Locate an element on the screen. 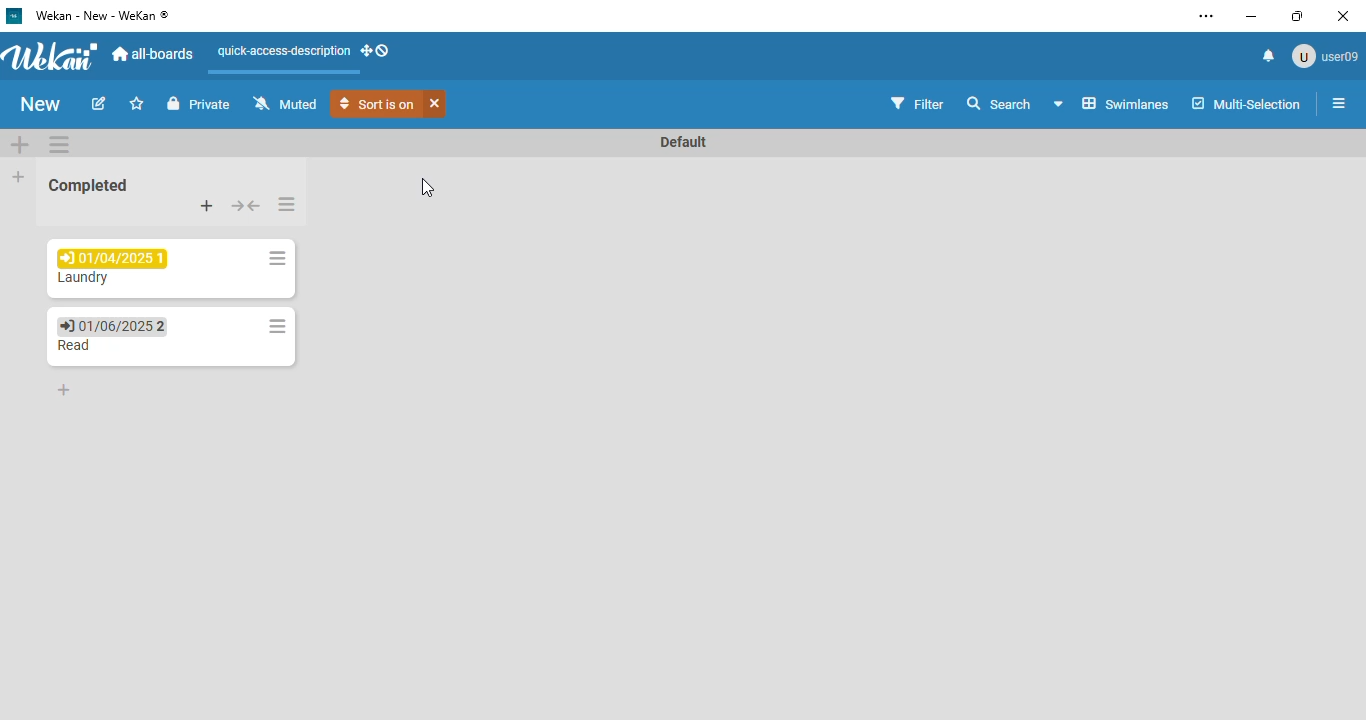 The image size is (1366, 720). click to star this board is located at coordinates (137, 103).